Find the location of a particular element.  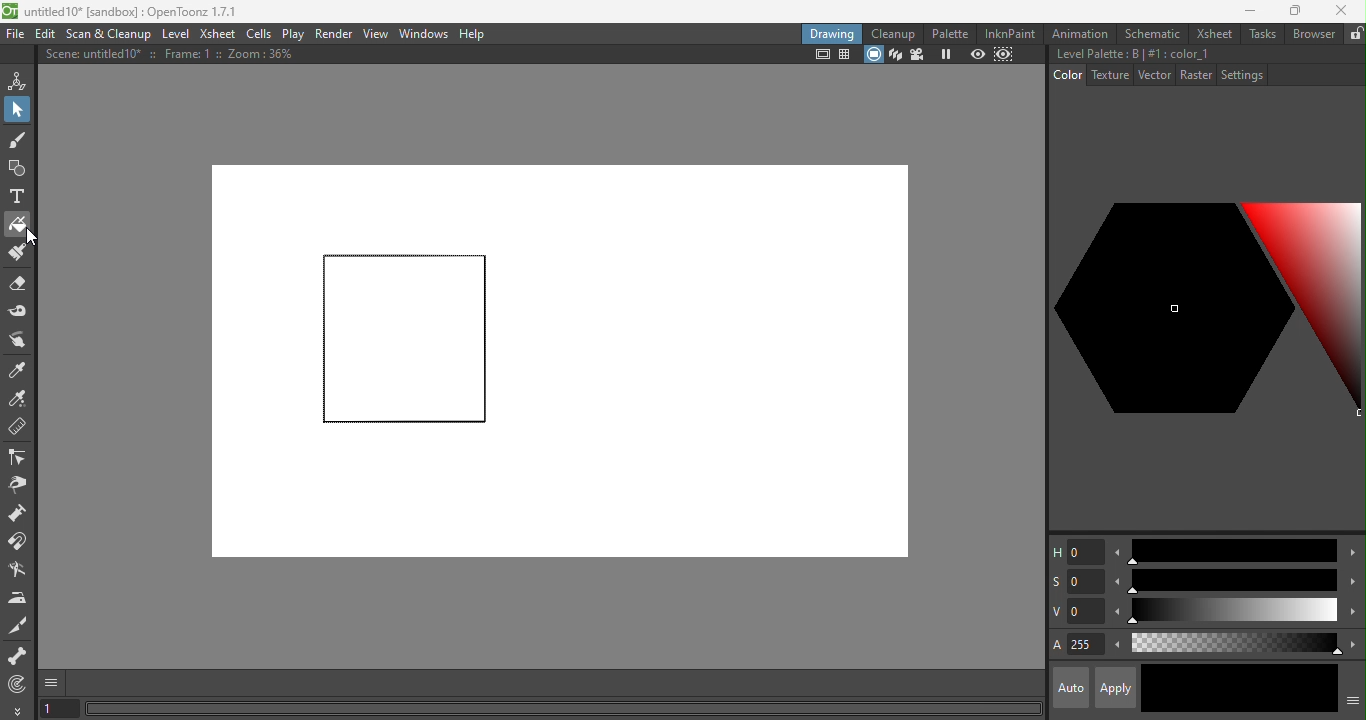

Close is located at coordinates (1342, 10).